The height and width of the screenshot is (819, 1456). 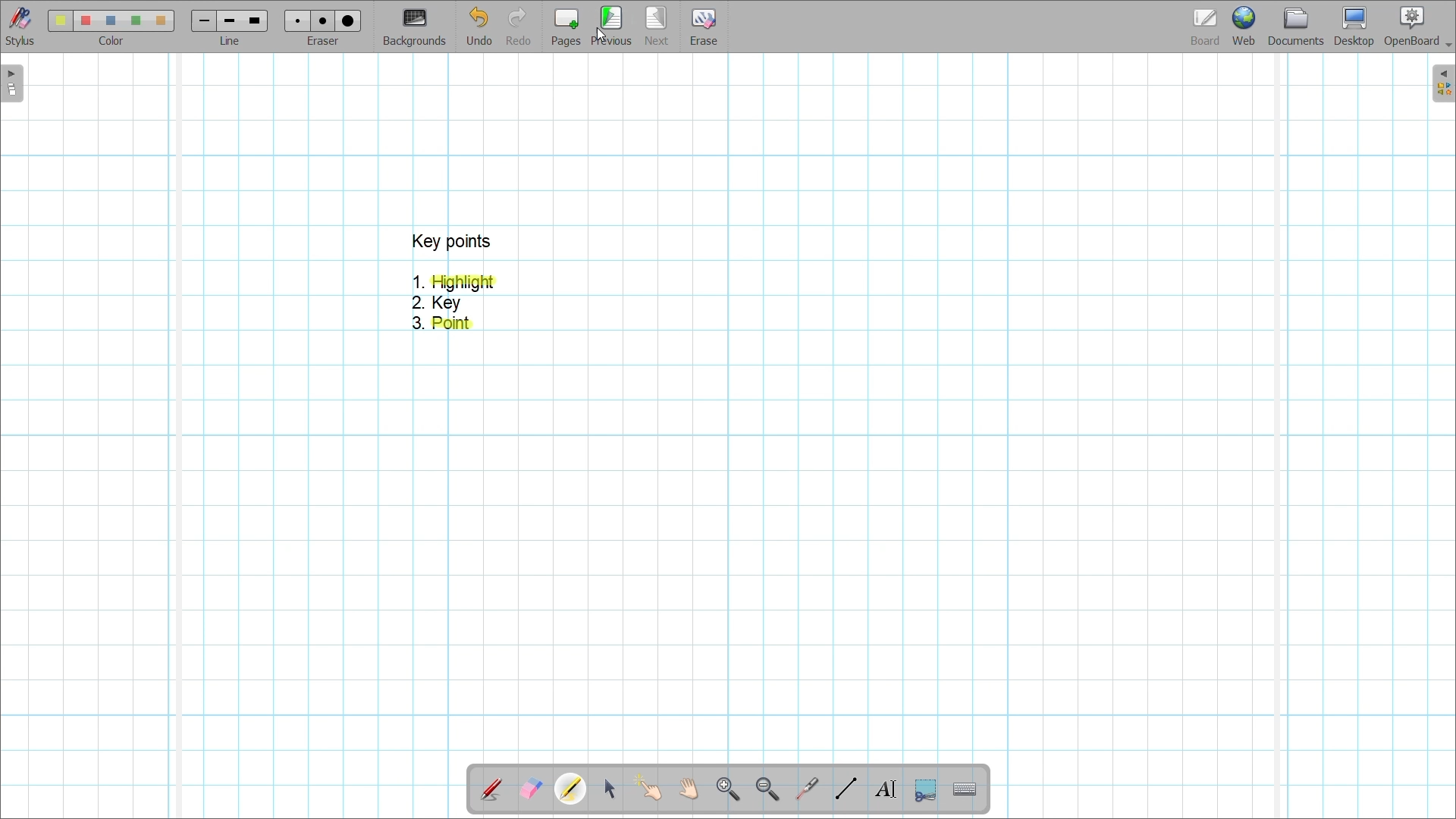 What do you see at coordinates (12, 83) in the screenshot?
I see `Left sidebar` at bounding box center [12, 83].